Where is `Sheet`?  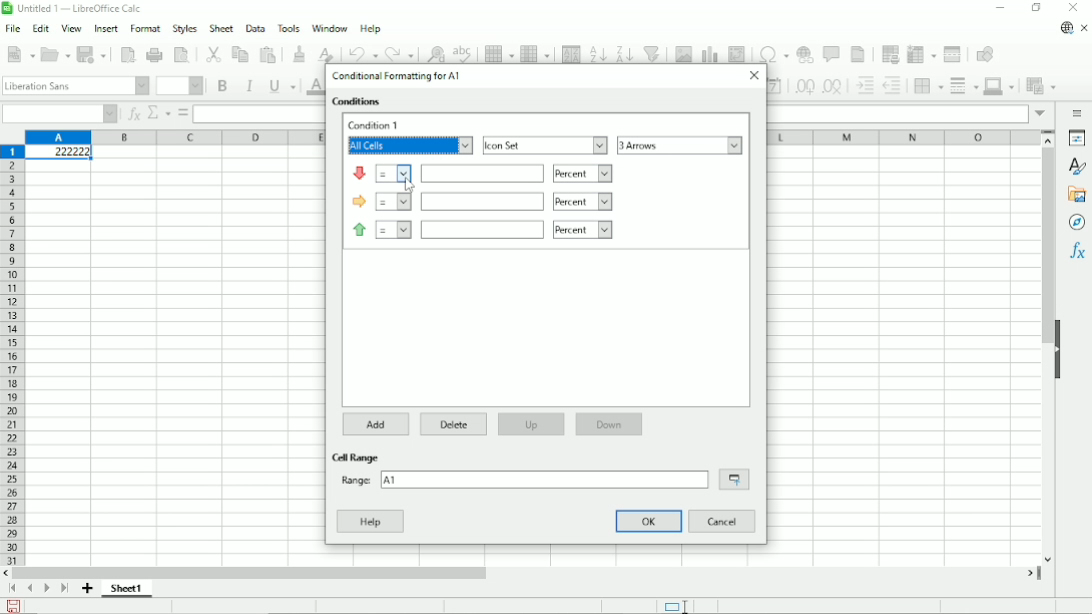 Sheet is located at coordinates (219, 28).